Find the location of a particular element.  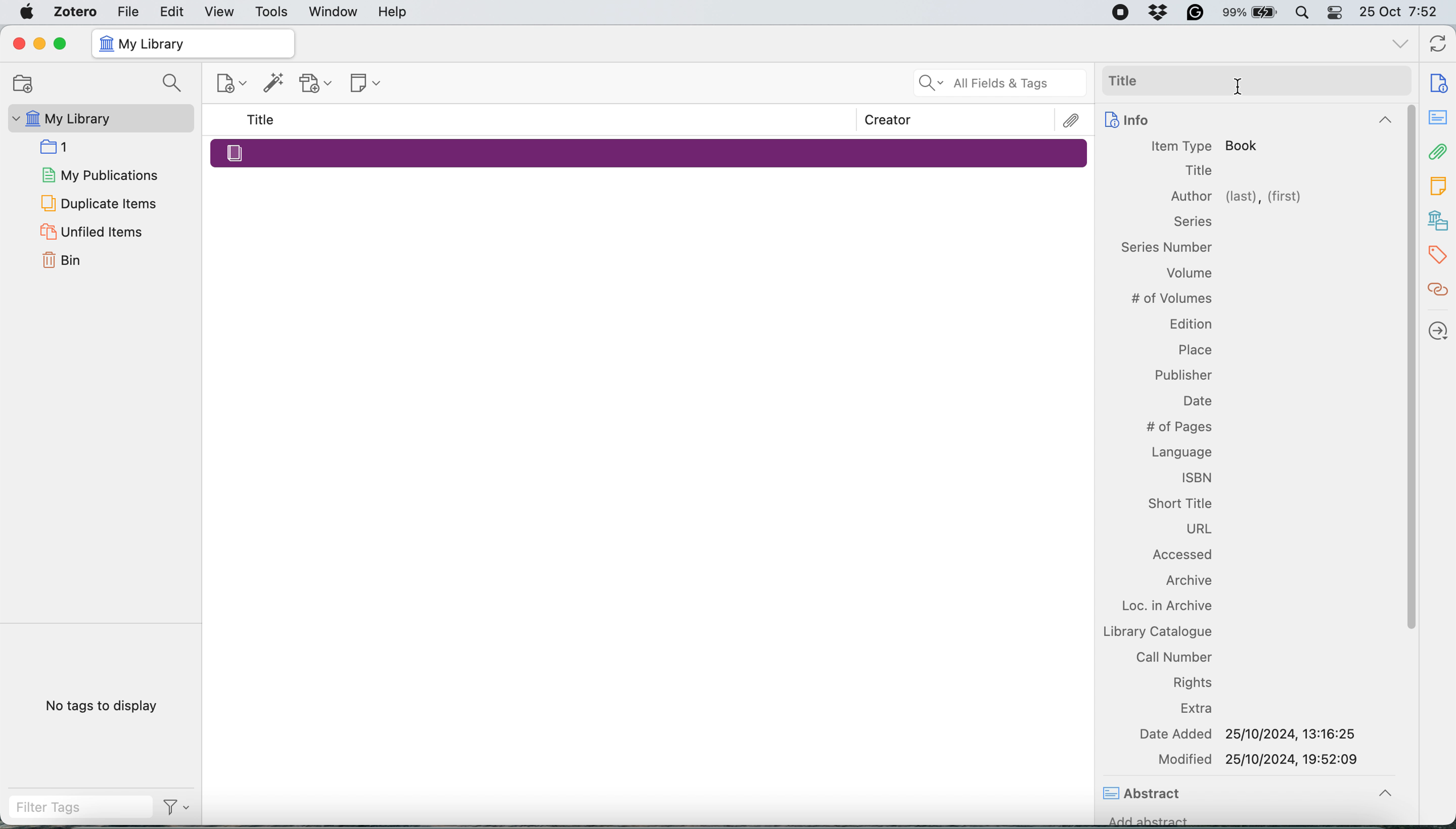

Citations is located at coordinates (1439, 290).